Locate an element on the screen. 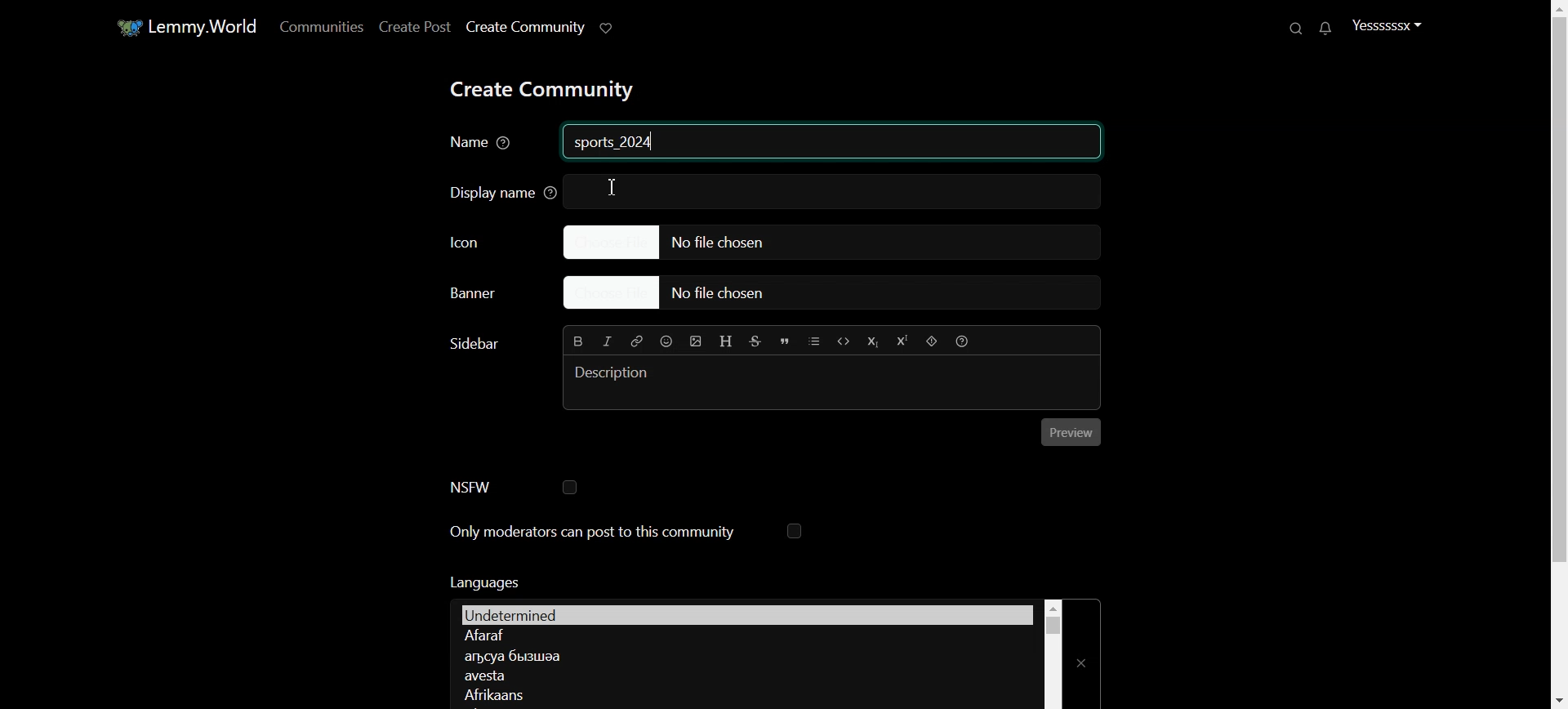  Vertical Scroll bar is located at coordinates (1555, 354).